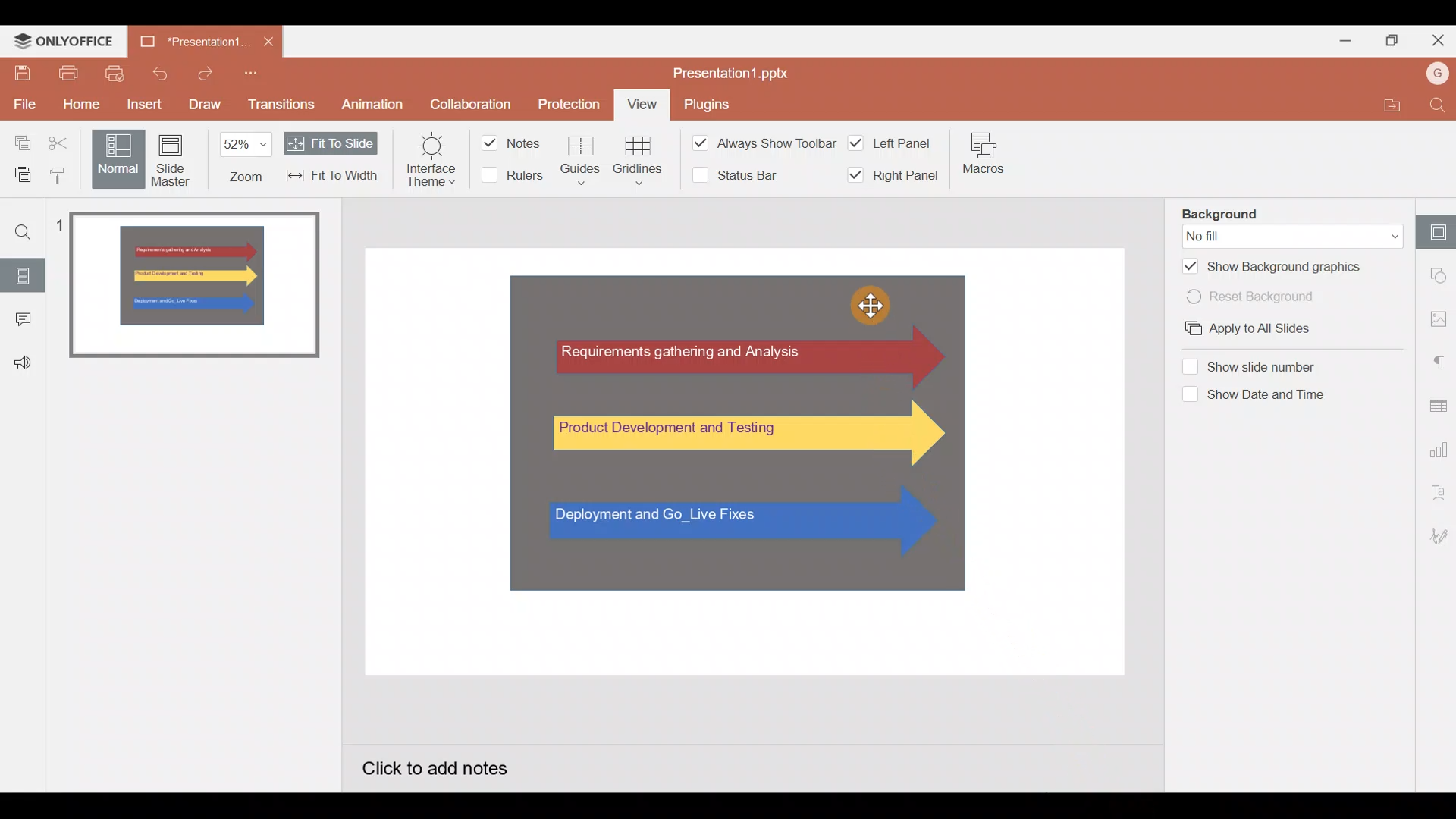 The width and height of the screenshot is (1456, 819). What do you see at coordinates (1261, 366) in the screenshot?
I see `Show slide number` at bounding box center [1261, 366].